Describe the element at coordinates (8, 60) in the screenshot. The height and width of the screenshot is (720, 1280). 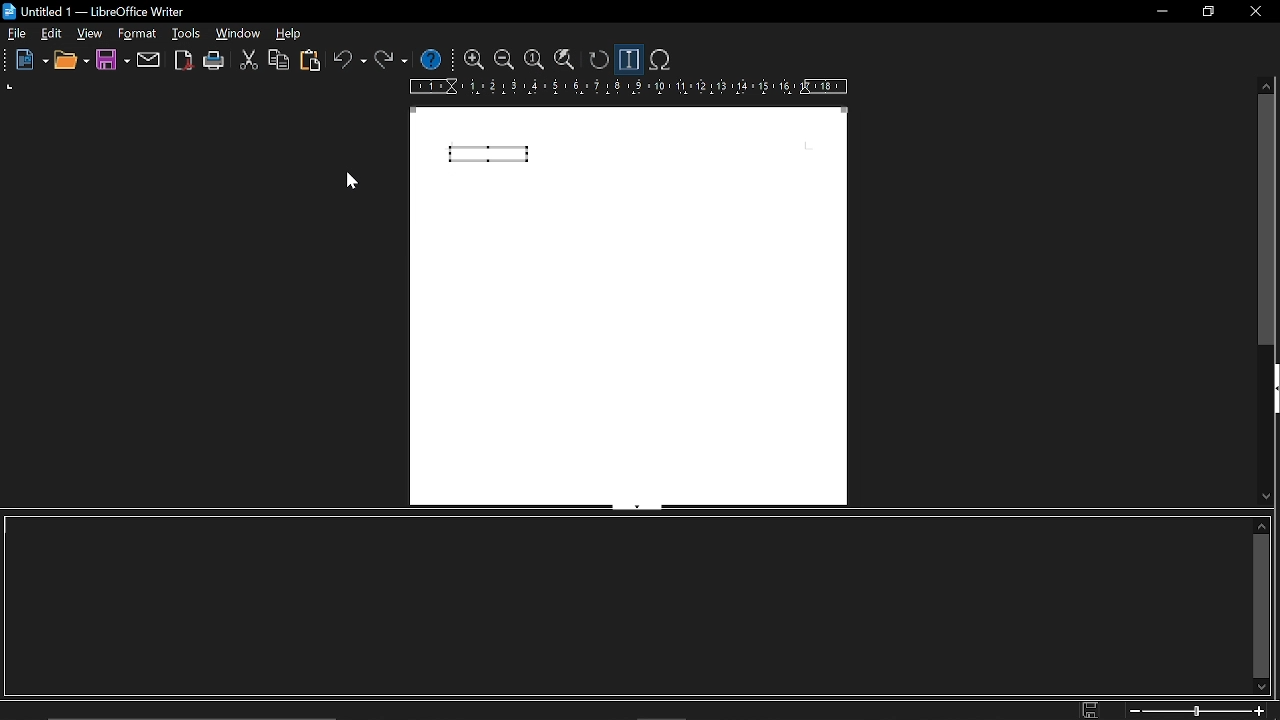
I see `` at that location.